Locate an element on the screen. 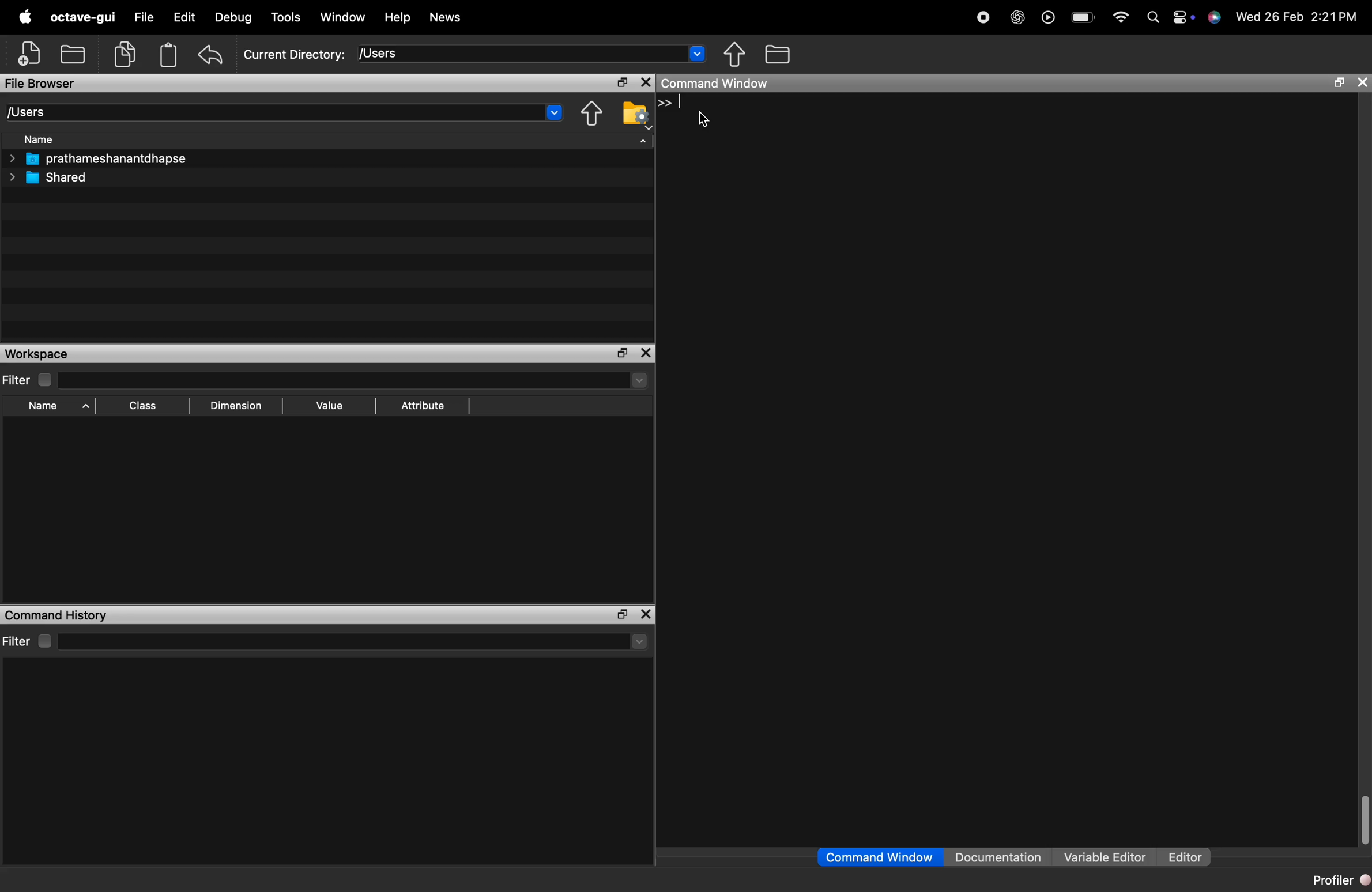 The image size is (1372, 892). maximise is located at coordinates (617, 354).